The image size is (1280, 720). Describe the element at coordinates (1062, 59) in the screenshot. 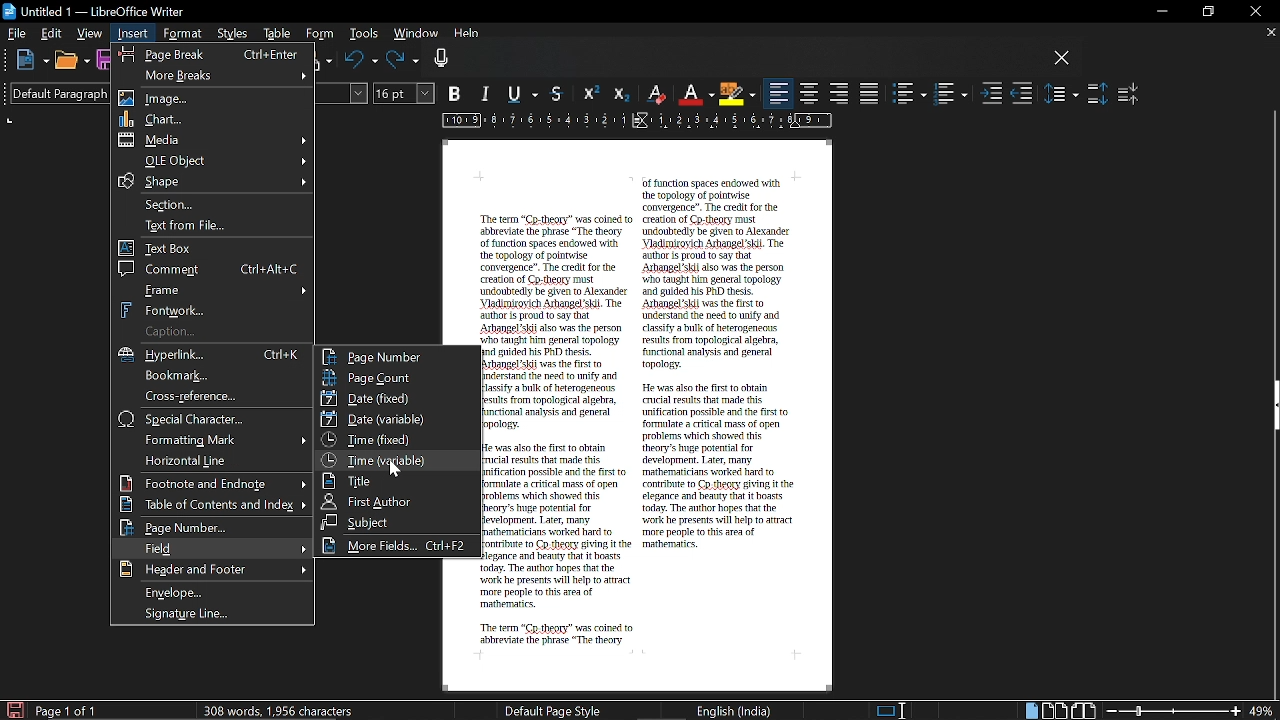

I see `CLose` at that location.